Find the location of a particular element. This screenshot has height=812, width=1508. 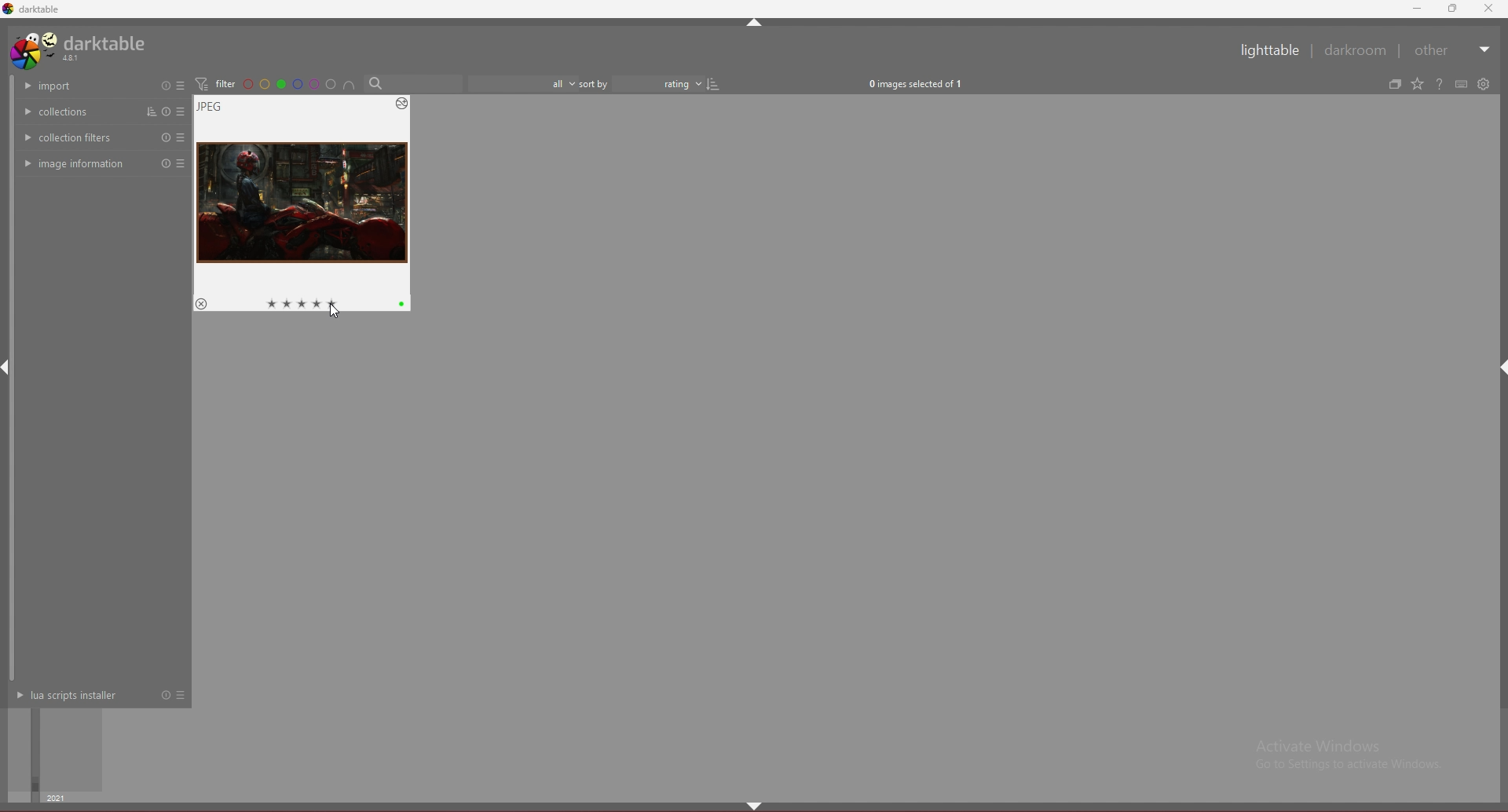

reset is located at coordinates (166, 85).